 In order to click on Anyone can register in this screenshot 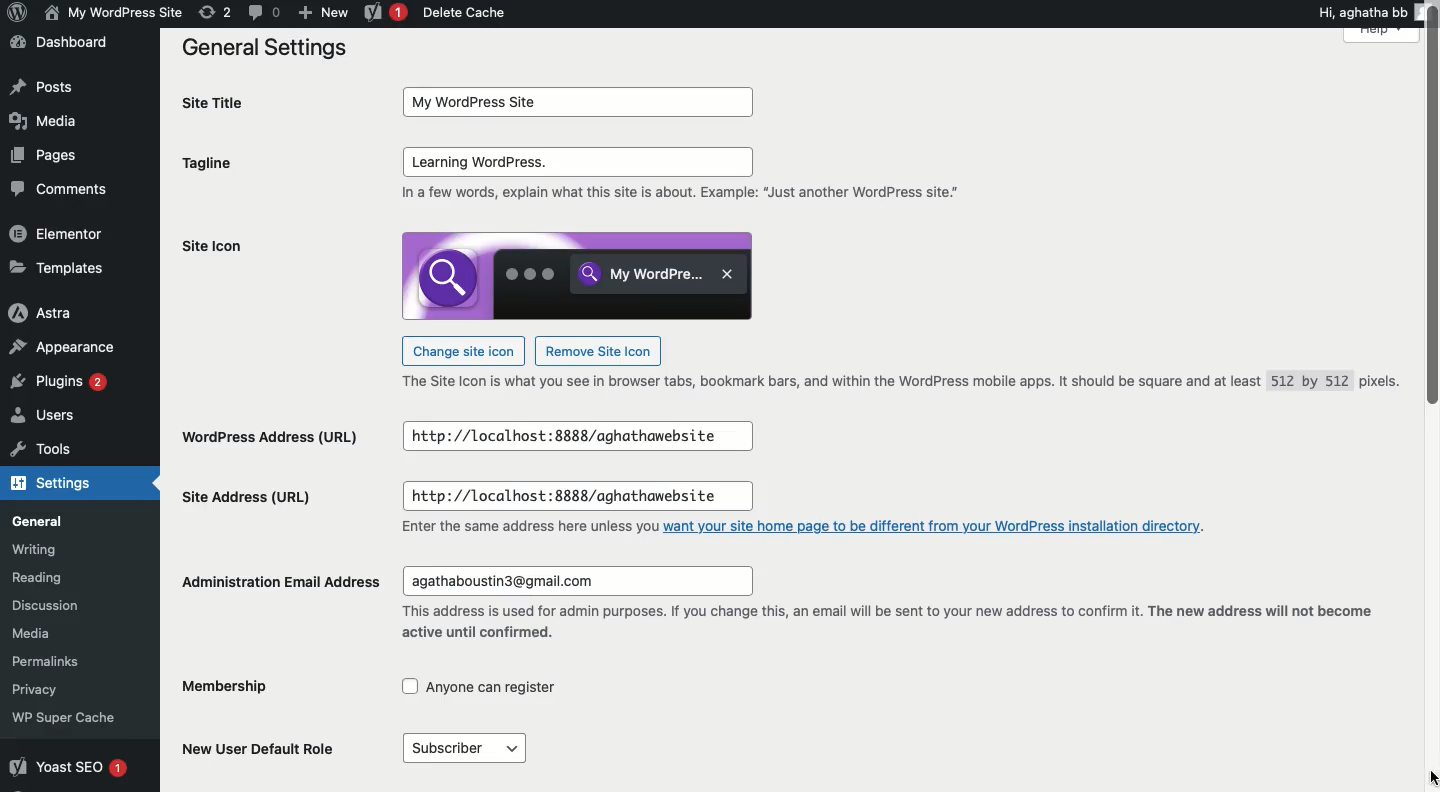, I will do `click(492, 687)`.